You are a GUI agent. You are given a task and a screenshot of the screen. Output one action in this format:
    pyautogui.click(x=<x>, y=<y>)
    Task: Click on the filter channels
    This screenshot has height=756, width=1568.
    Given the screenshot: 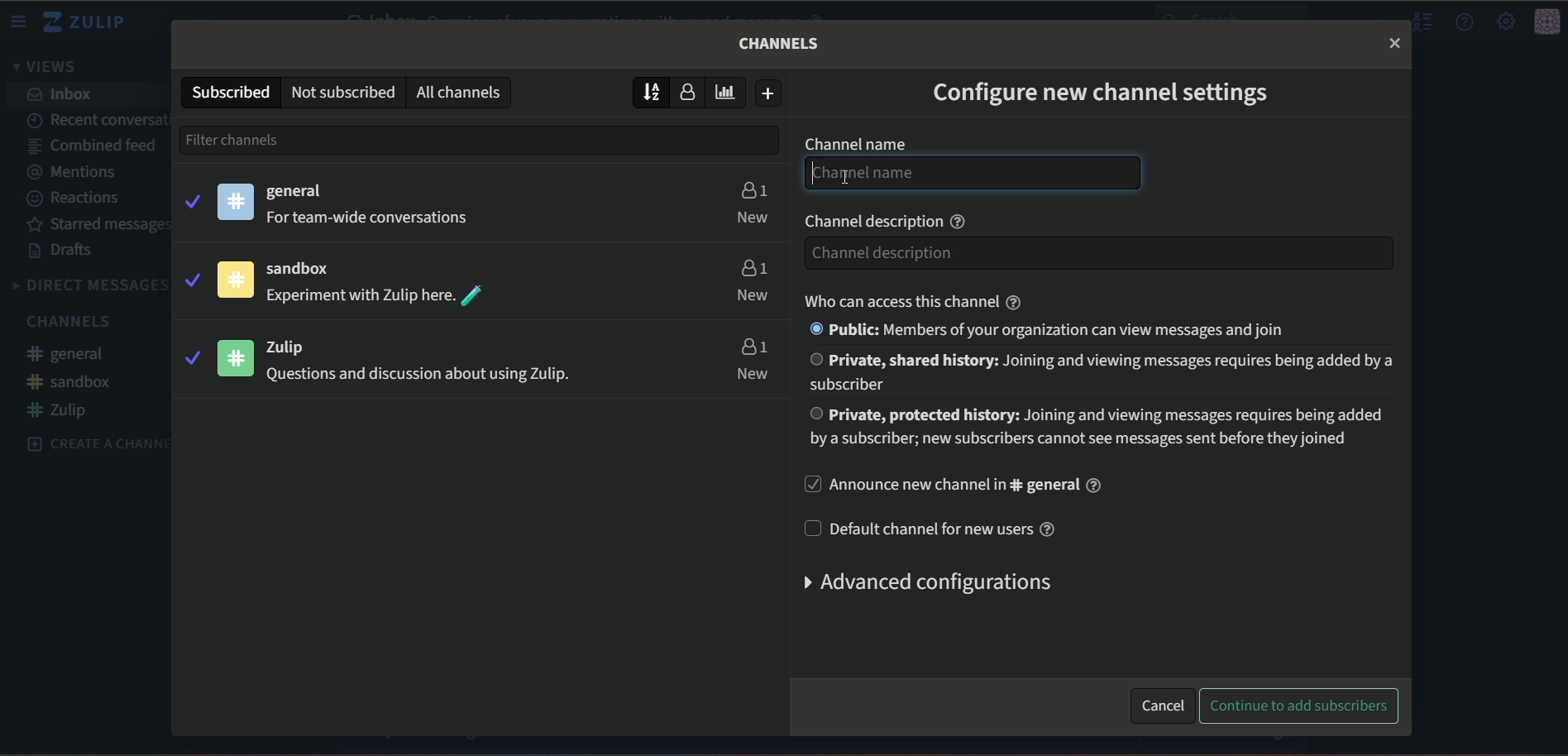 What is the action you would take?
    pyautogui.click(x=265, y=139)
    